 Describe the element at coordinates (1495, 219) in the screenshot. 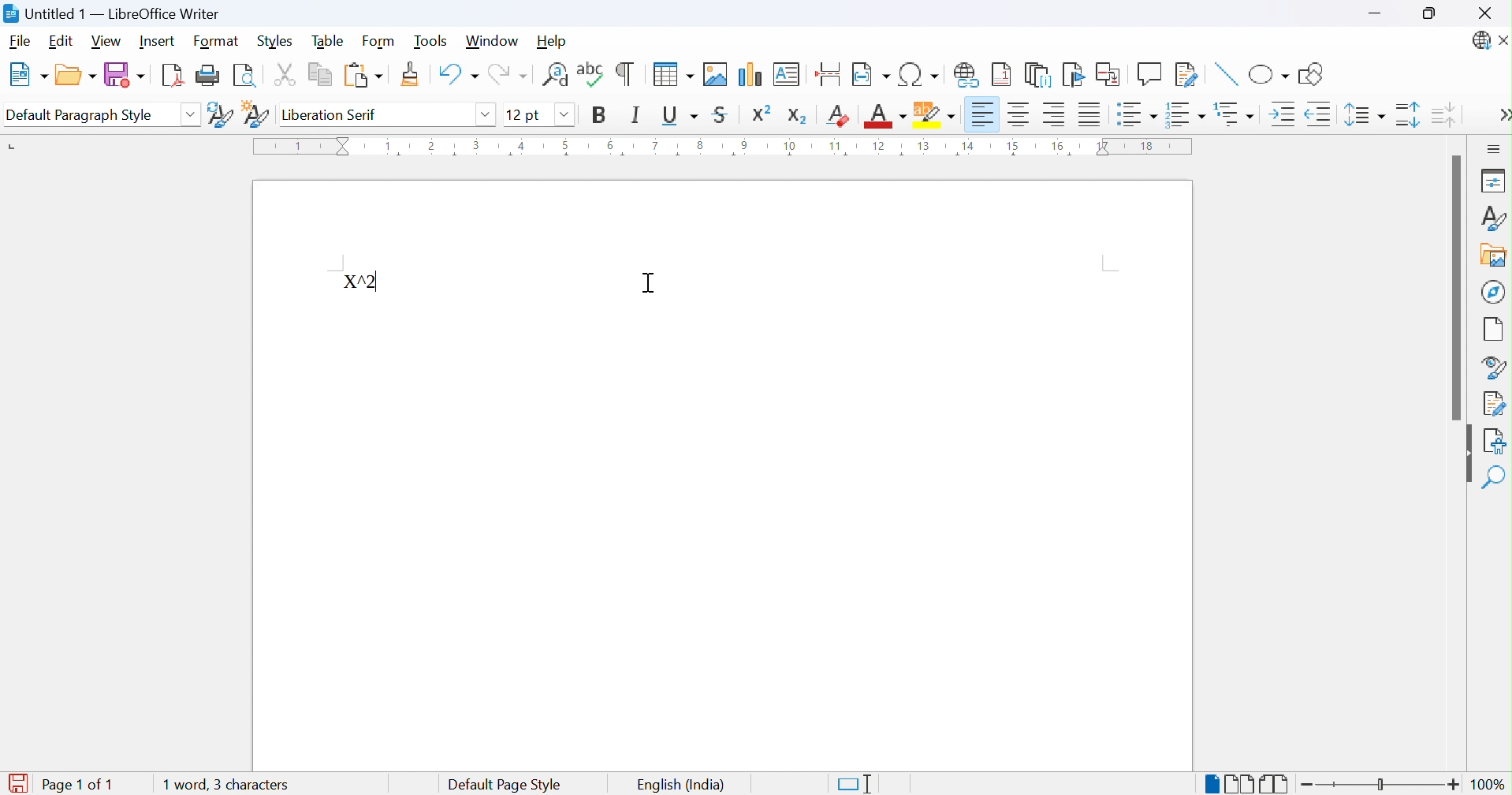

I see `Styles` at that location.